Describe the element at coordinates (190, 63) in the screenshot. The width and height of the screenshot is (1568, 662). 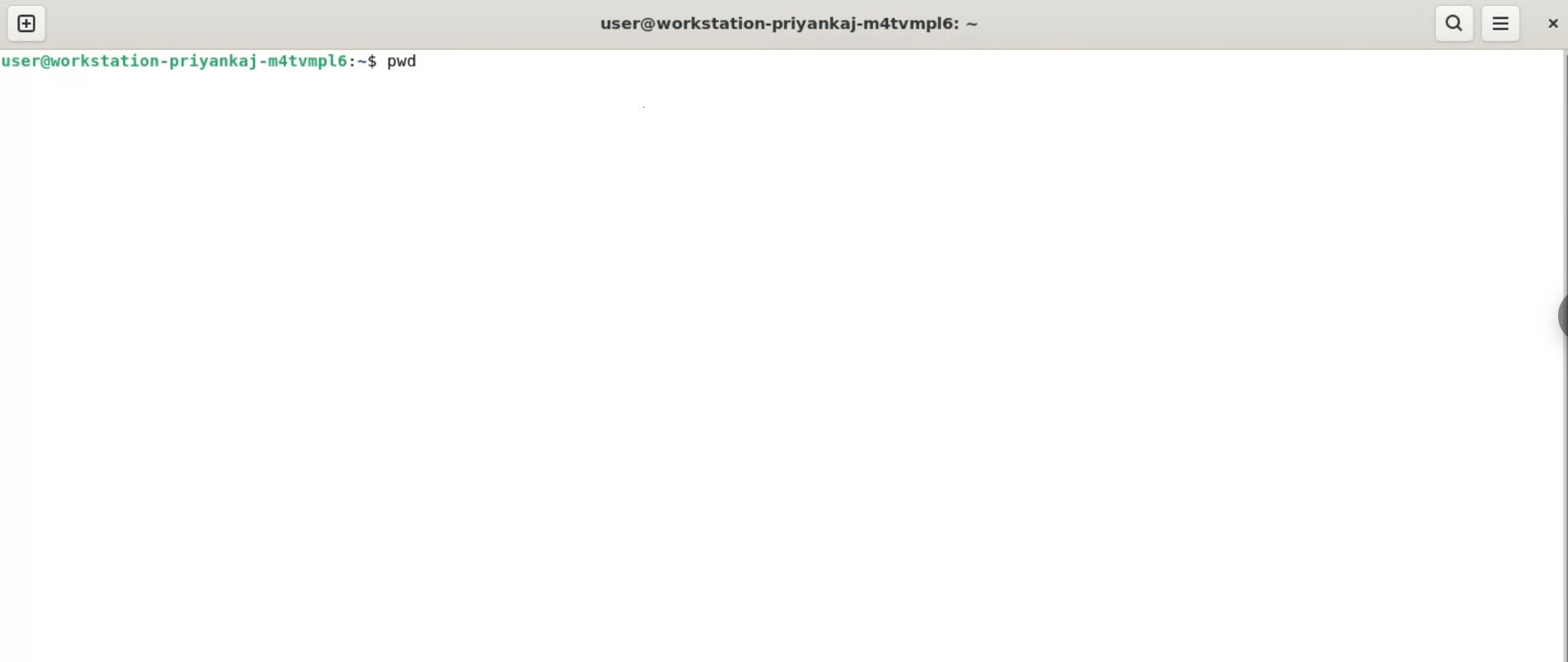
I see `user@workstaion-priyankaj-m4tvmpl6:~$` at that location.